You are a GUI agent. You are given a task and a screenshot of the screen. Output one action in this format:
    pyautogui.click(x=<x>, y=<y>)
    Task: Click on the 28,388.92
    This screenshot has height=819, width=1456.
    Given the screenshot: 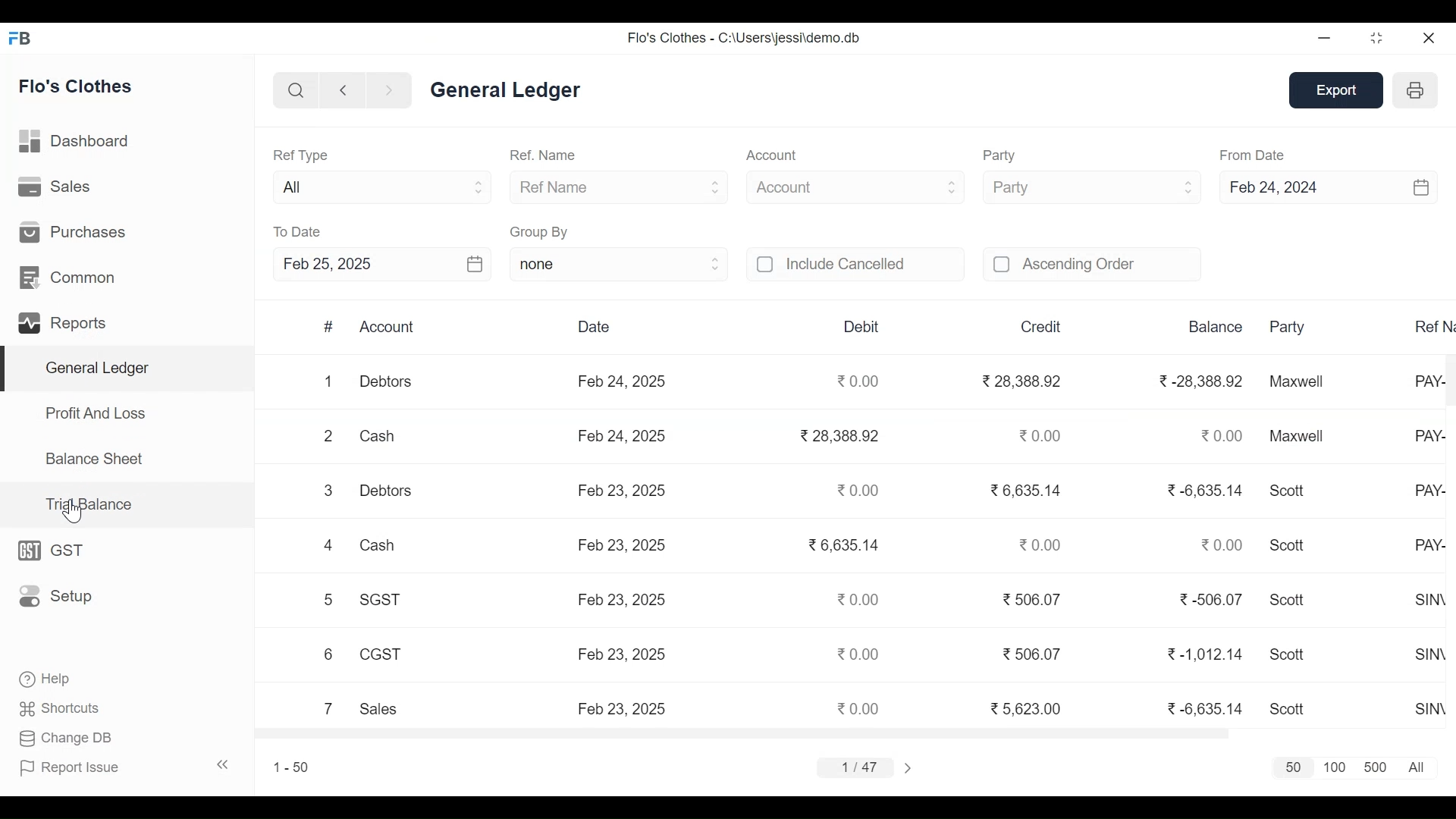 What is the action you would take?
    pyautogui.click(x=1022, y=381)
    